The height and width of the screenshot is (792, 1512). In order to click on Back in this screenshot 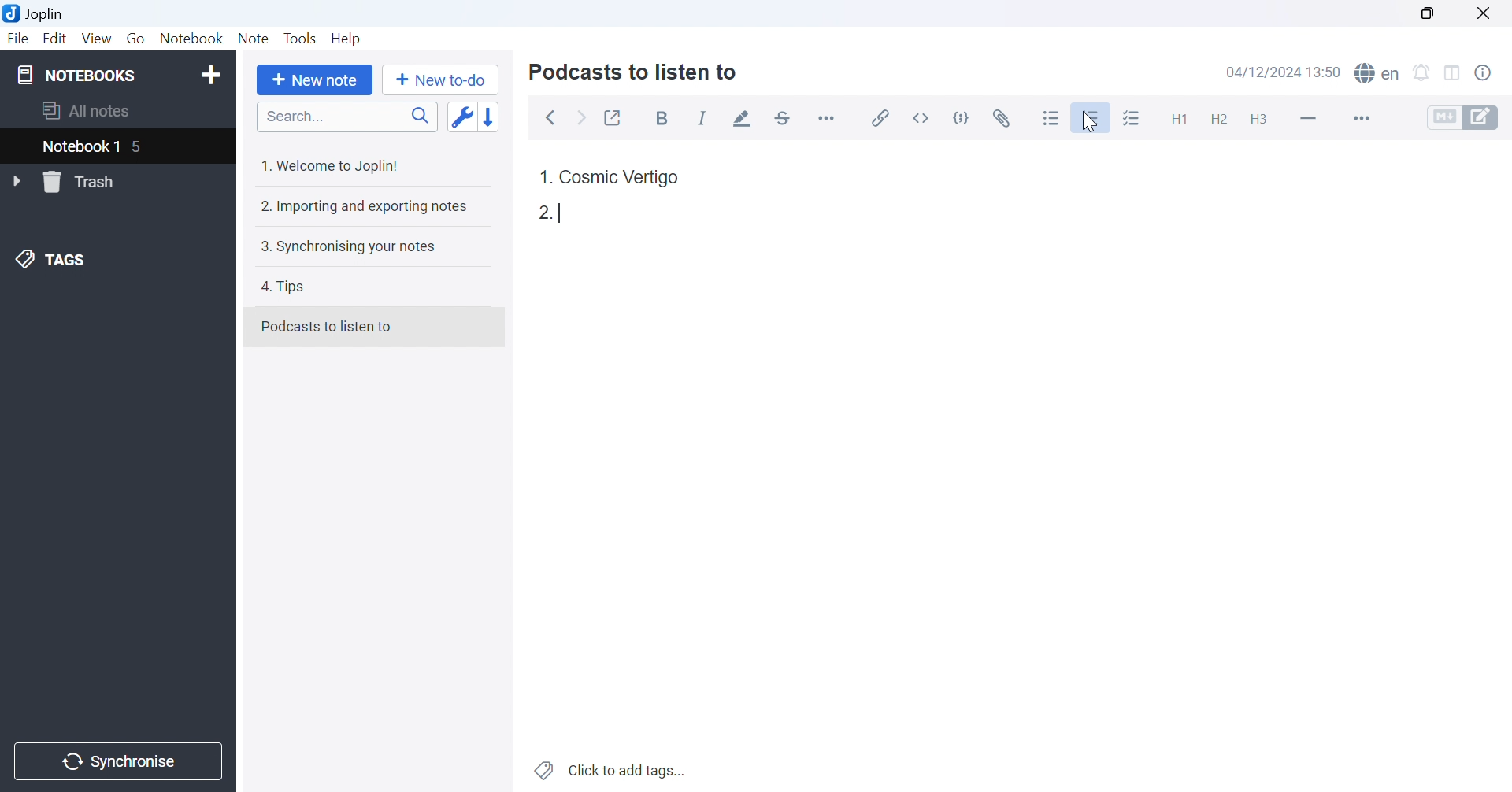, I will do `click(552, 119)`.